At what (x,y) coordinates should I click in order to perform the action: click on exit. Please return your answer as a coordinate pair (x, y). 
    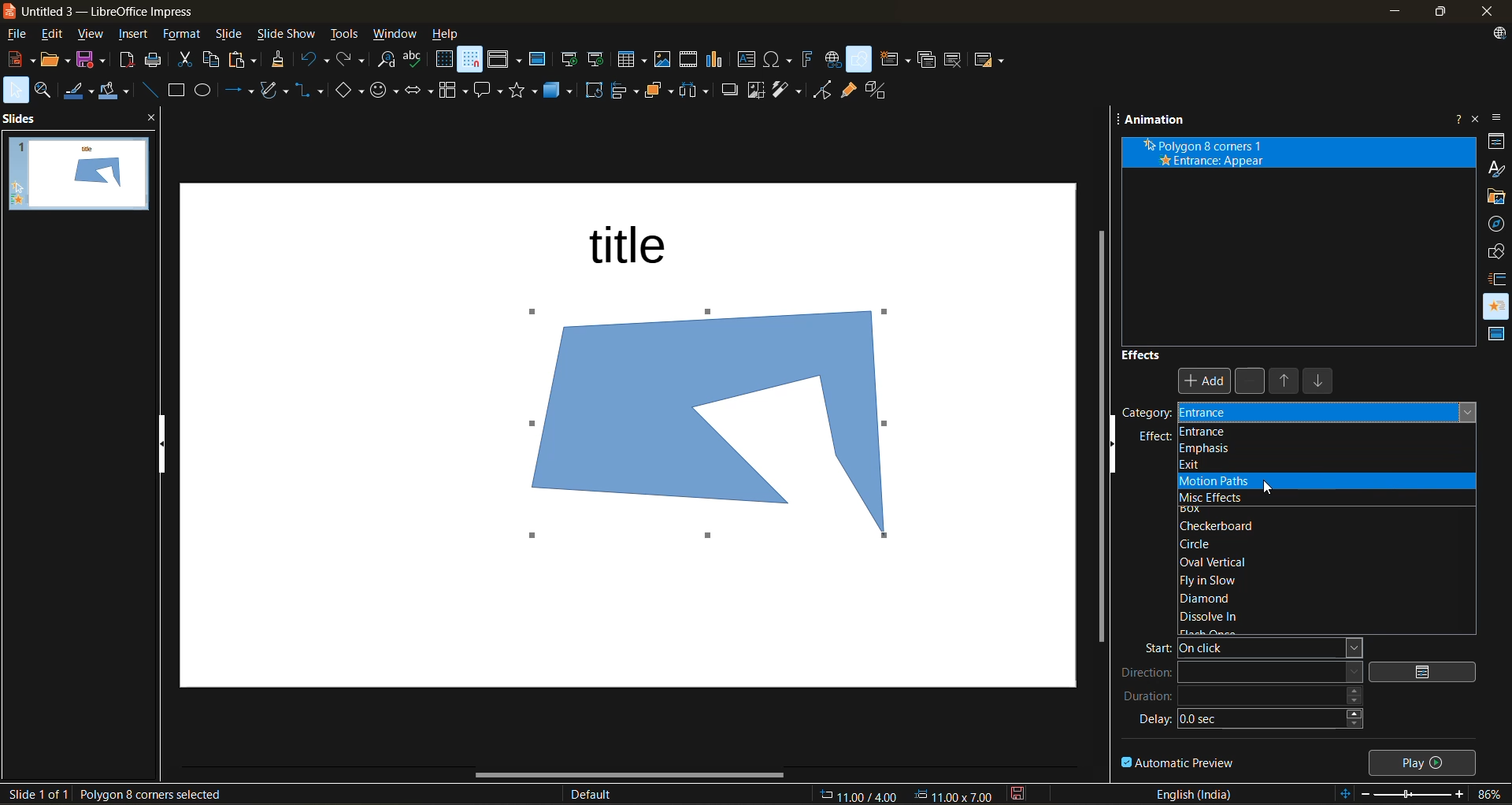
    Looking at the image, I should click on (1215, 466).